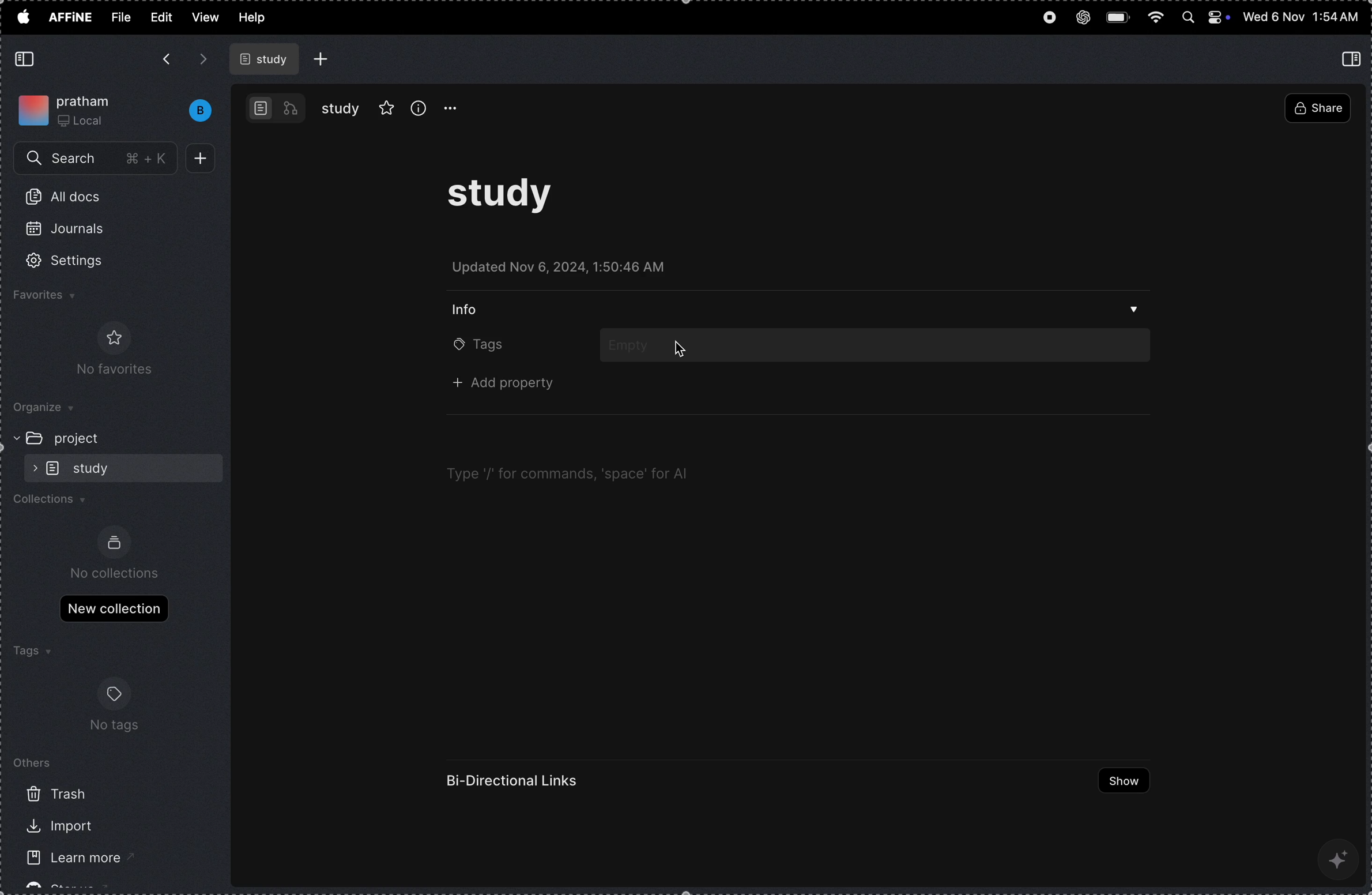 Image resolution: width=1372 pixels, height=895 pixels. Describe the element at coordinates (117, 728) in the screenshot. I see `no tags` at that location.